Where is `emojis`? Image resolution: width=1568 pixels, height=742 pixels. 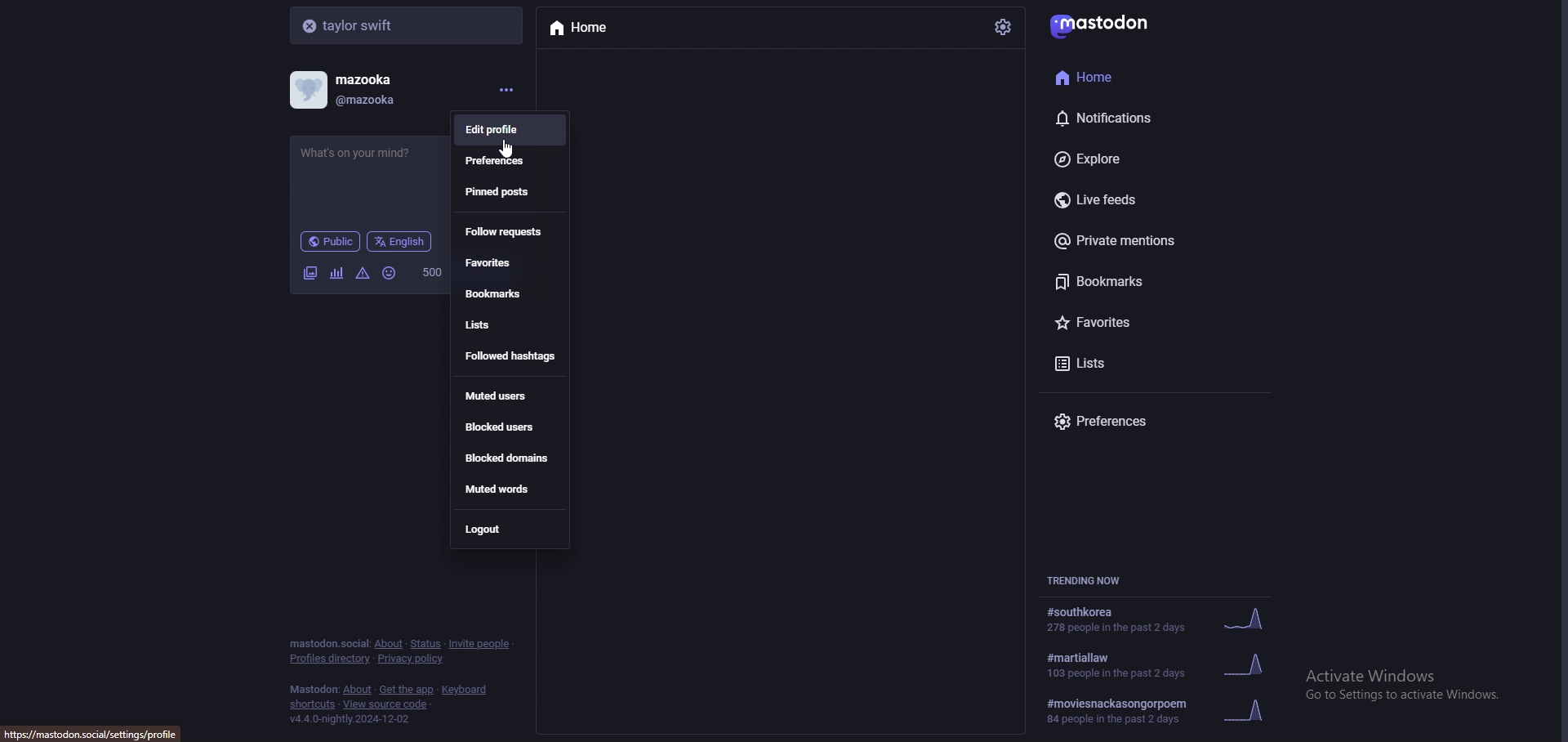 emojis is located at coordinates (390, 273).